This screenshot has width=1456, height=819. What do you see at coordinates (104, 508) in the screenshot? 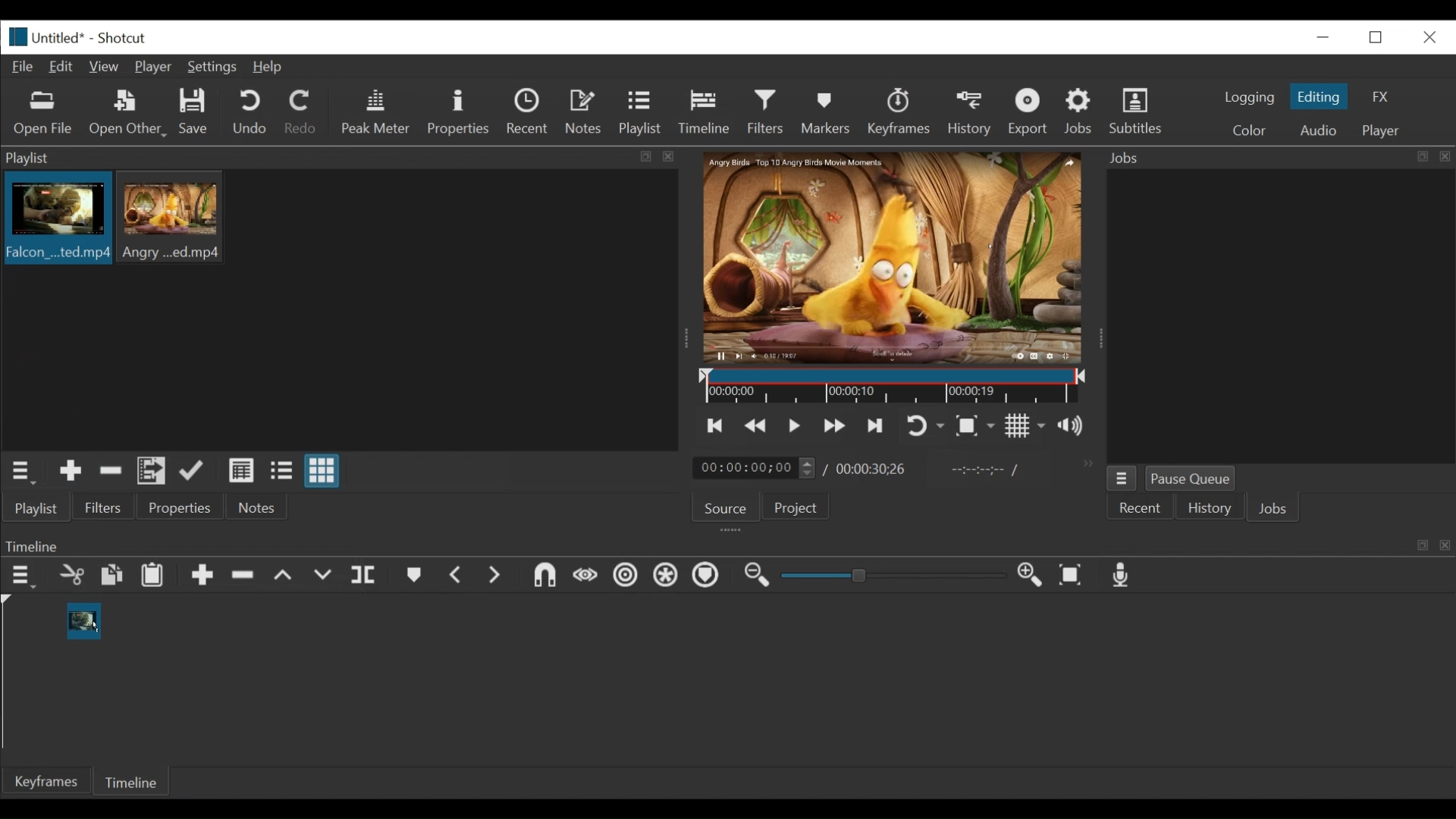
I see `Filters` at bounding box center [104, 508].